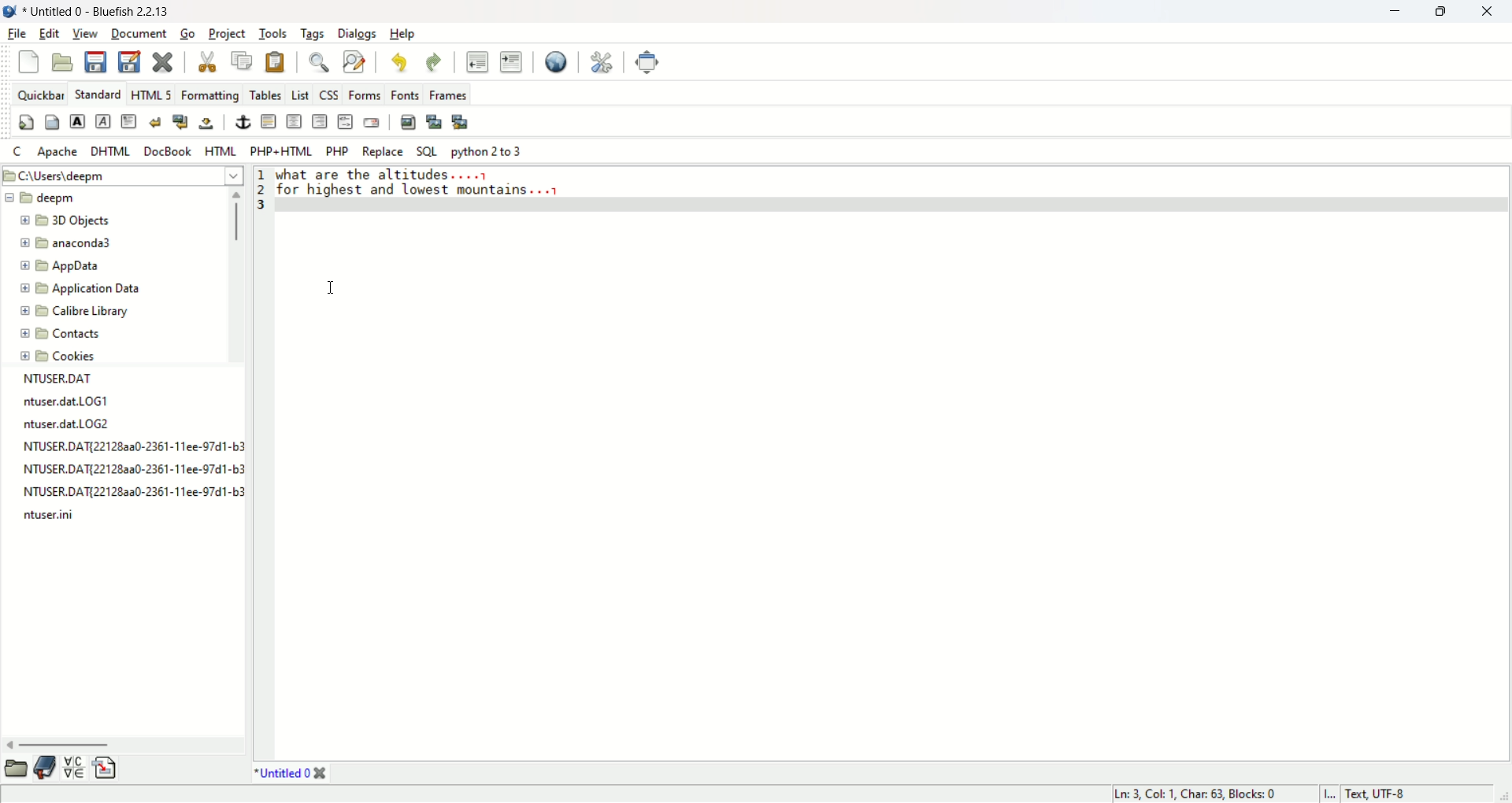 The width and height of the screenshot is (1512, 803). I want to click on project, so click(227, 35).